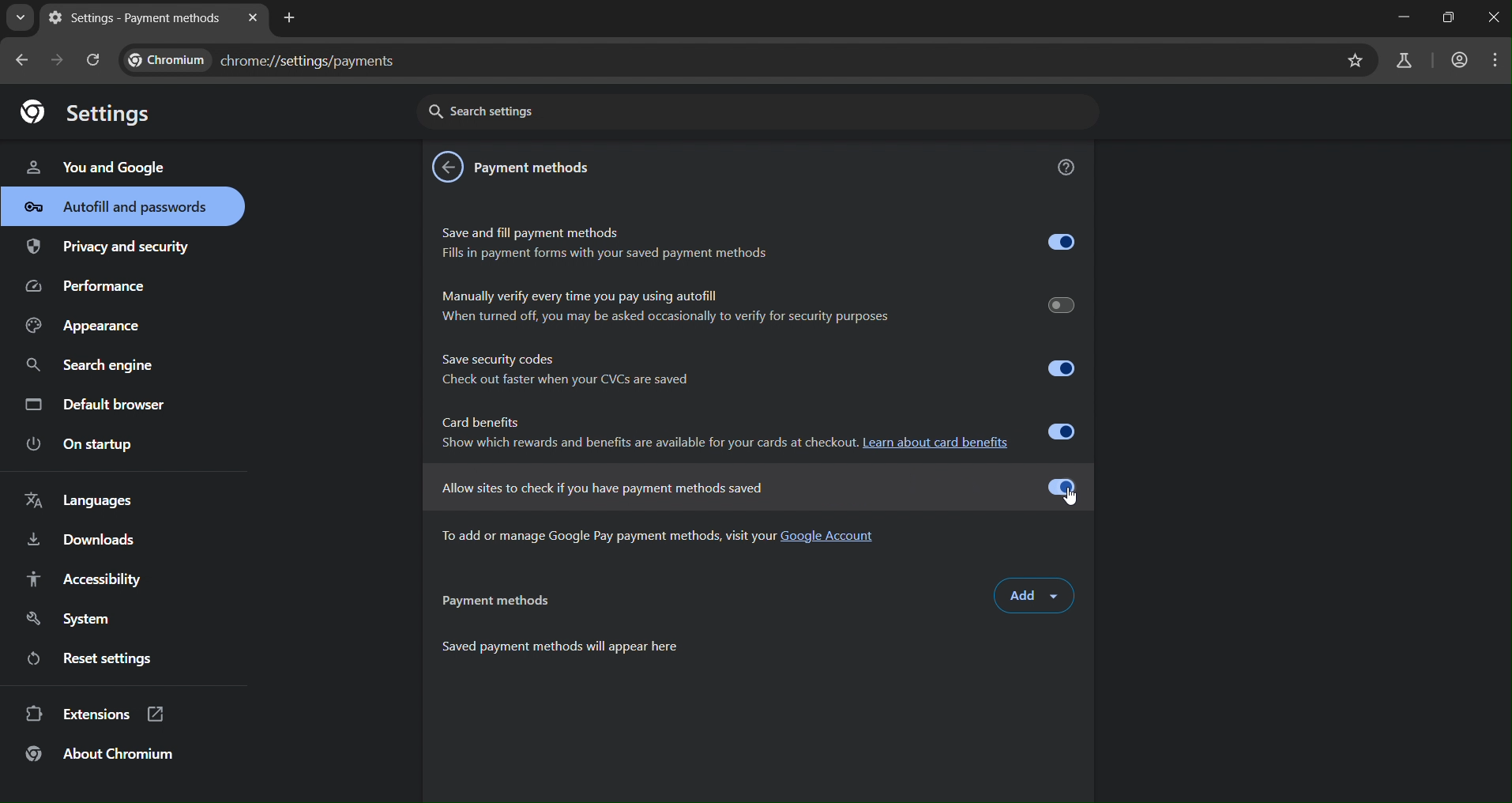 The image size is (1512, 803). What do you see at coordinates (1354, 62) in the screenshot?
I see `bookmark page` at bounding box center [1354, 62].